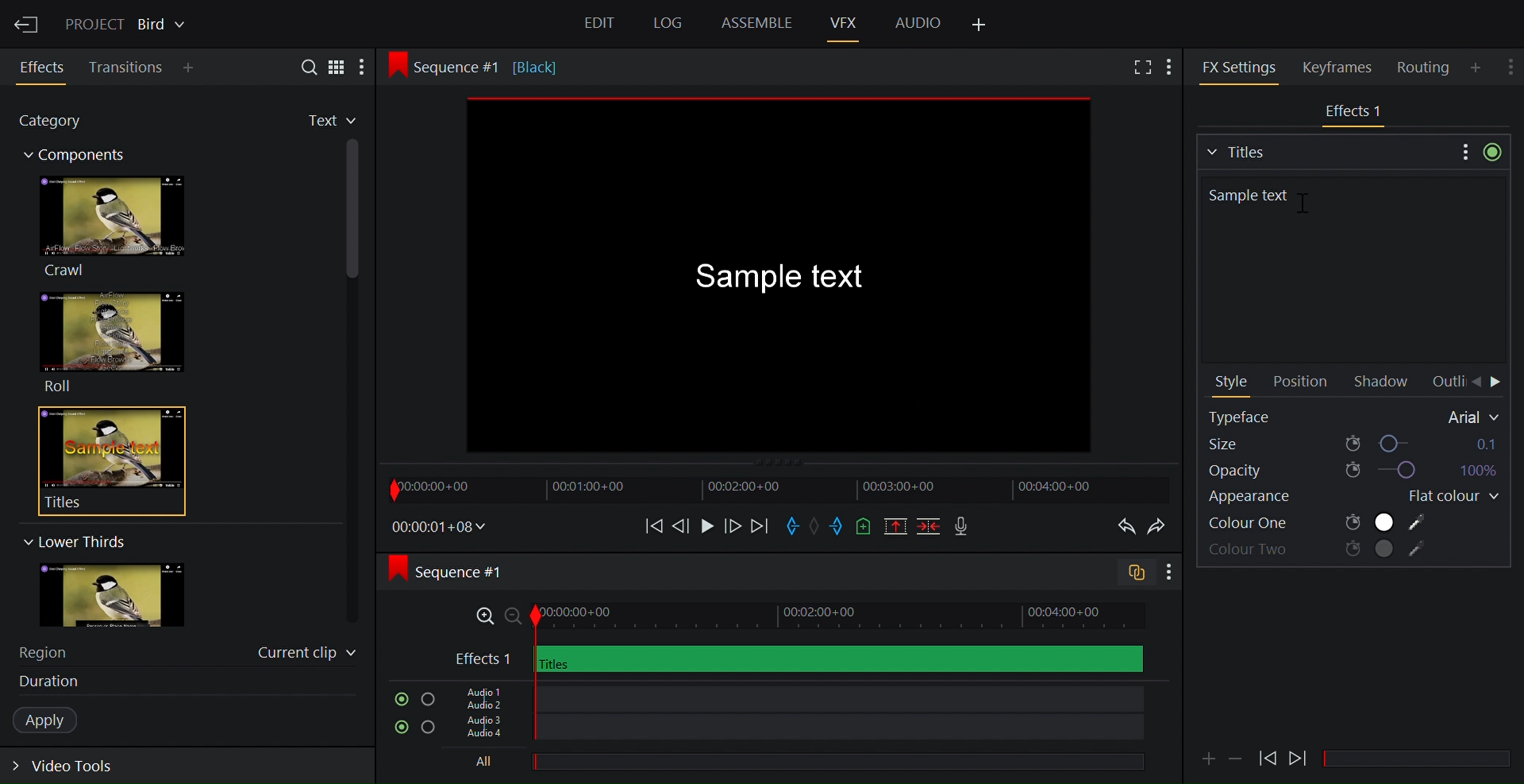 The width and height of the screenshot is (1524, 784). What do you see at coordinates (398, 728) in the screenshot?
I see `Mute/Unmute` at bounding box center [398, 728].